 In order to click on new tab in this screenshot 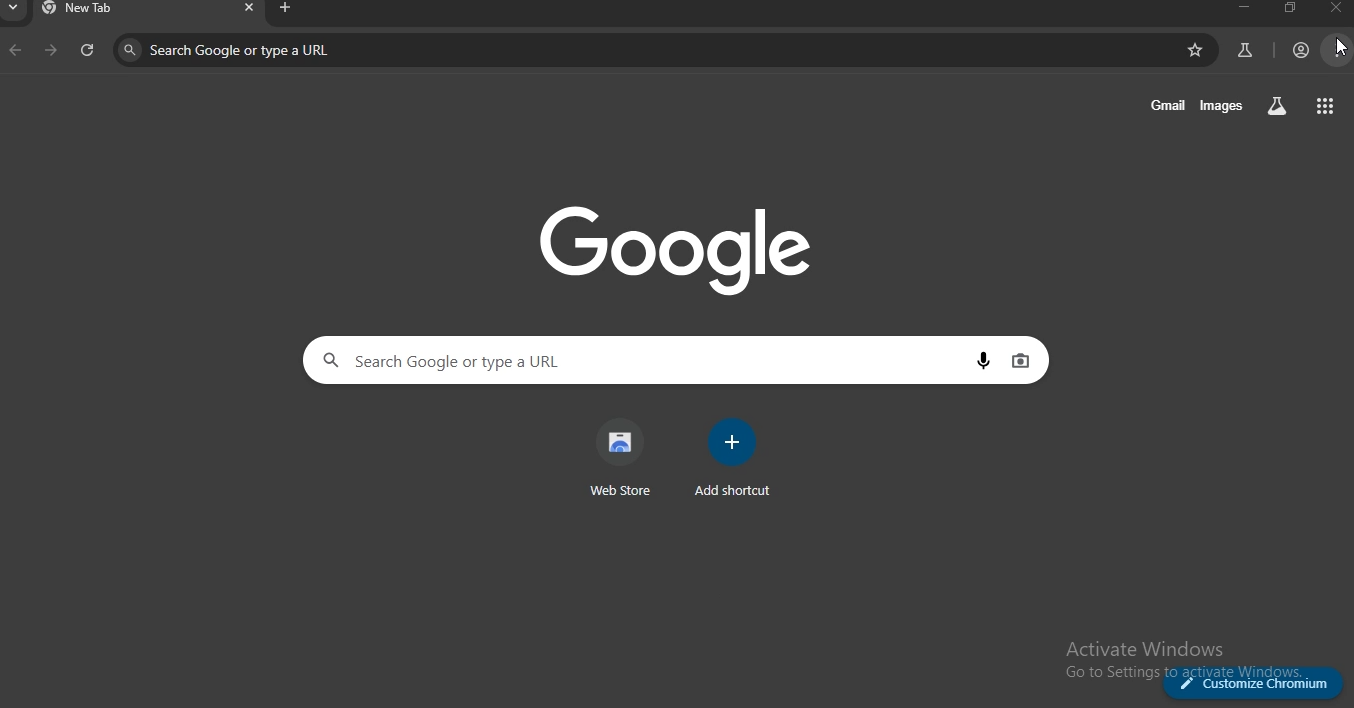, I will do `click(286, 9)`.